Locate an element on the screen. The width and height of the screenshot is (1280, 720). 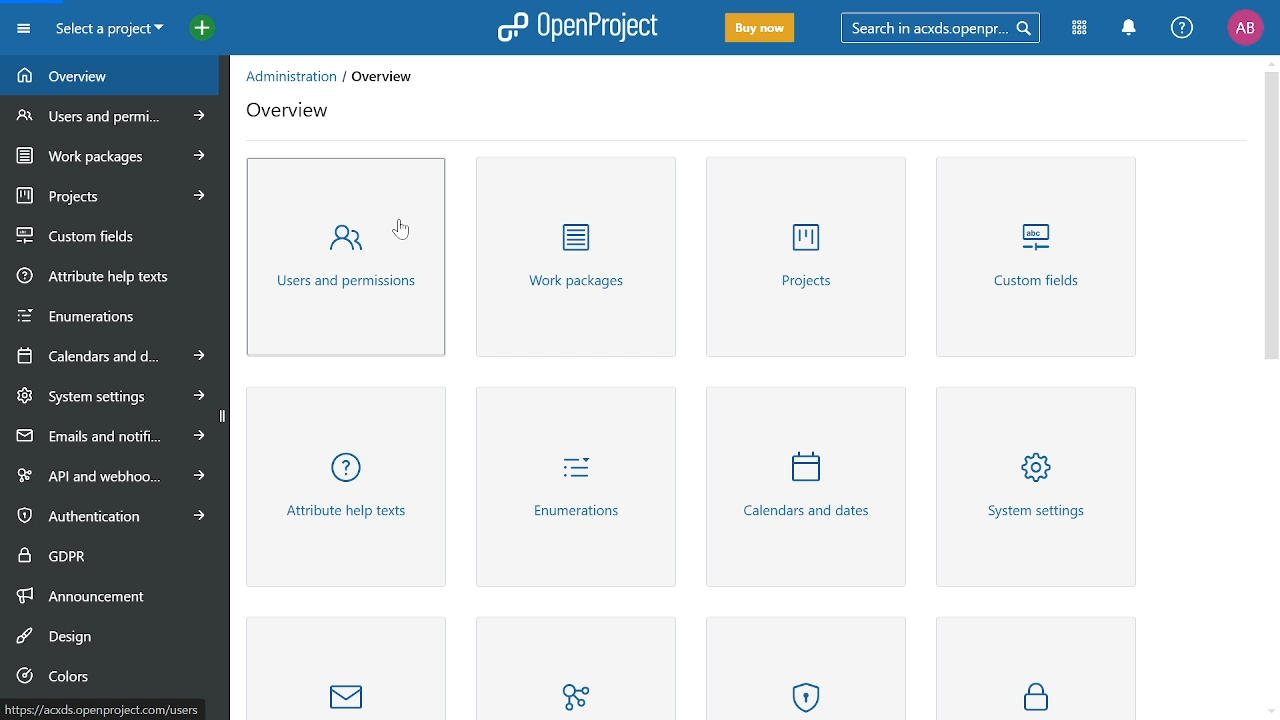
Authentication is located at coordinates (804, 665).